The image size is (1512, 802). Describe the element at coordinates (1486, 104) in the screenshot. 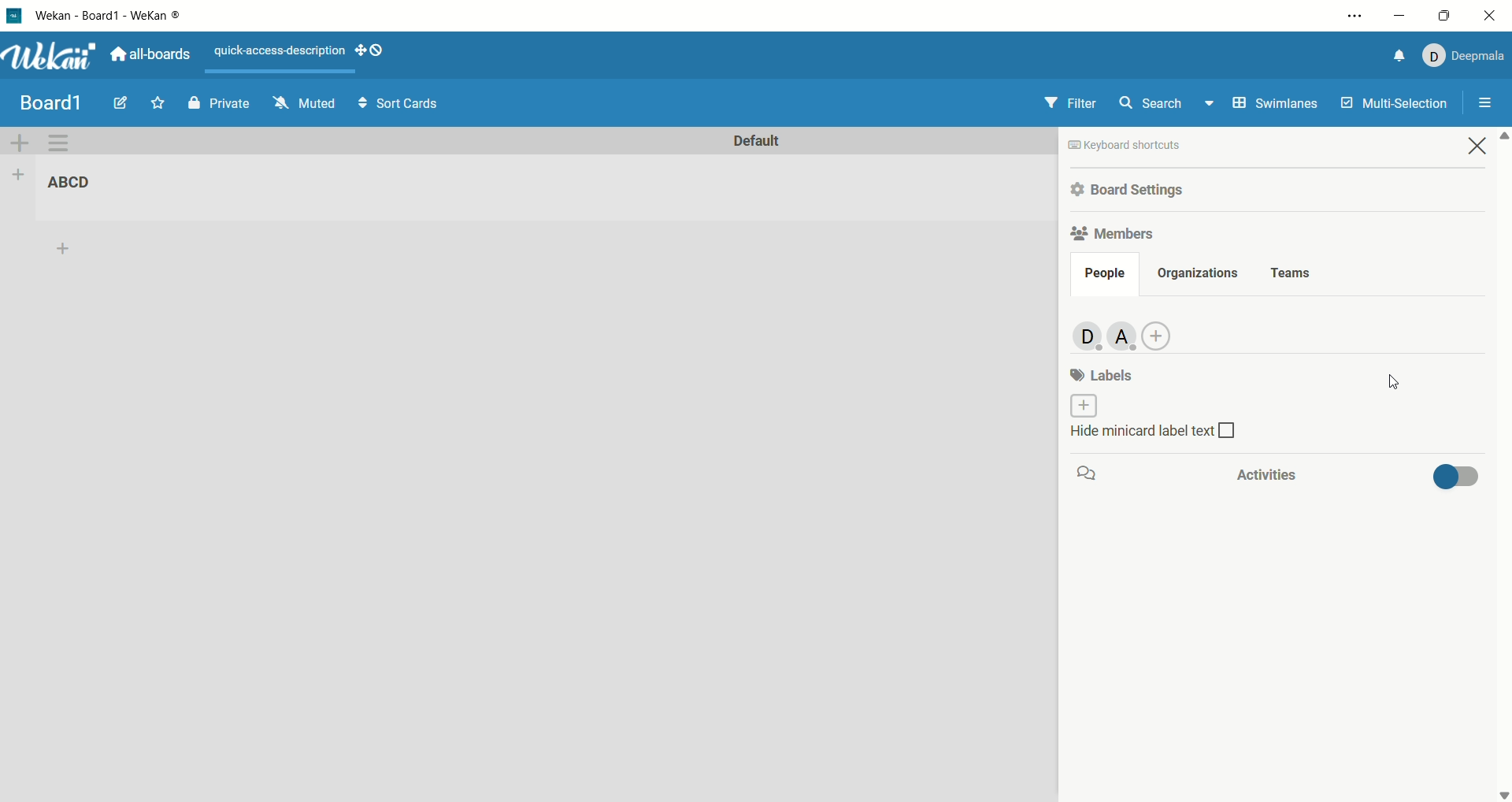

I see `open/close sidebar` at that location.